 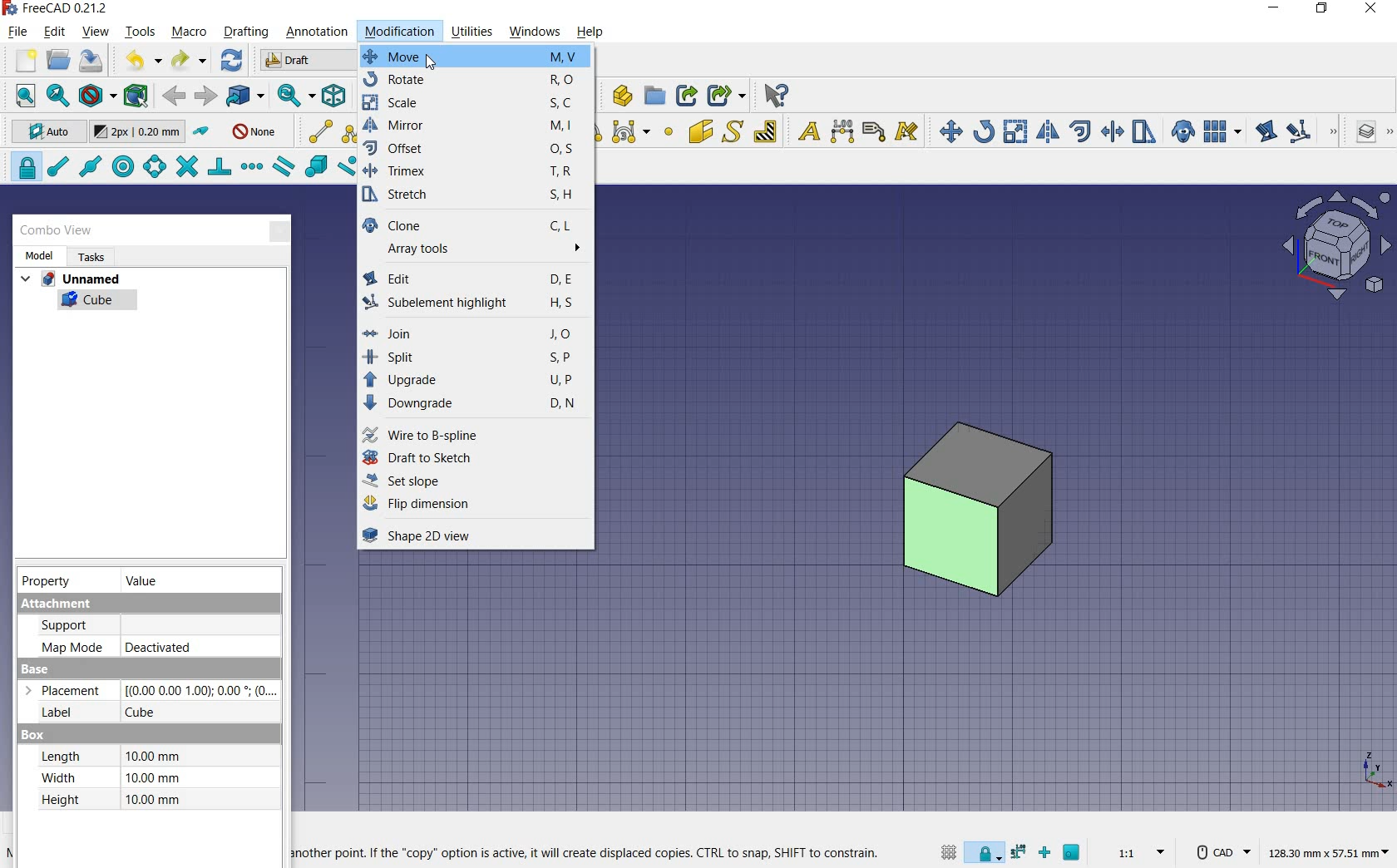 What do you see at coordinates (19, 31) in the screenshot?
I see `file` at bounding box center [19, 31].